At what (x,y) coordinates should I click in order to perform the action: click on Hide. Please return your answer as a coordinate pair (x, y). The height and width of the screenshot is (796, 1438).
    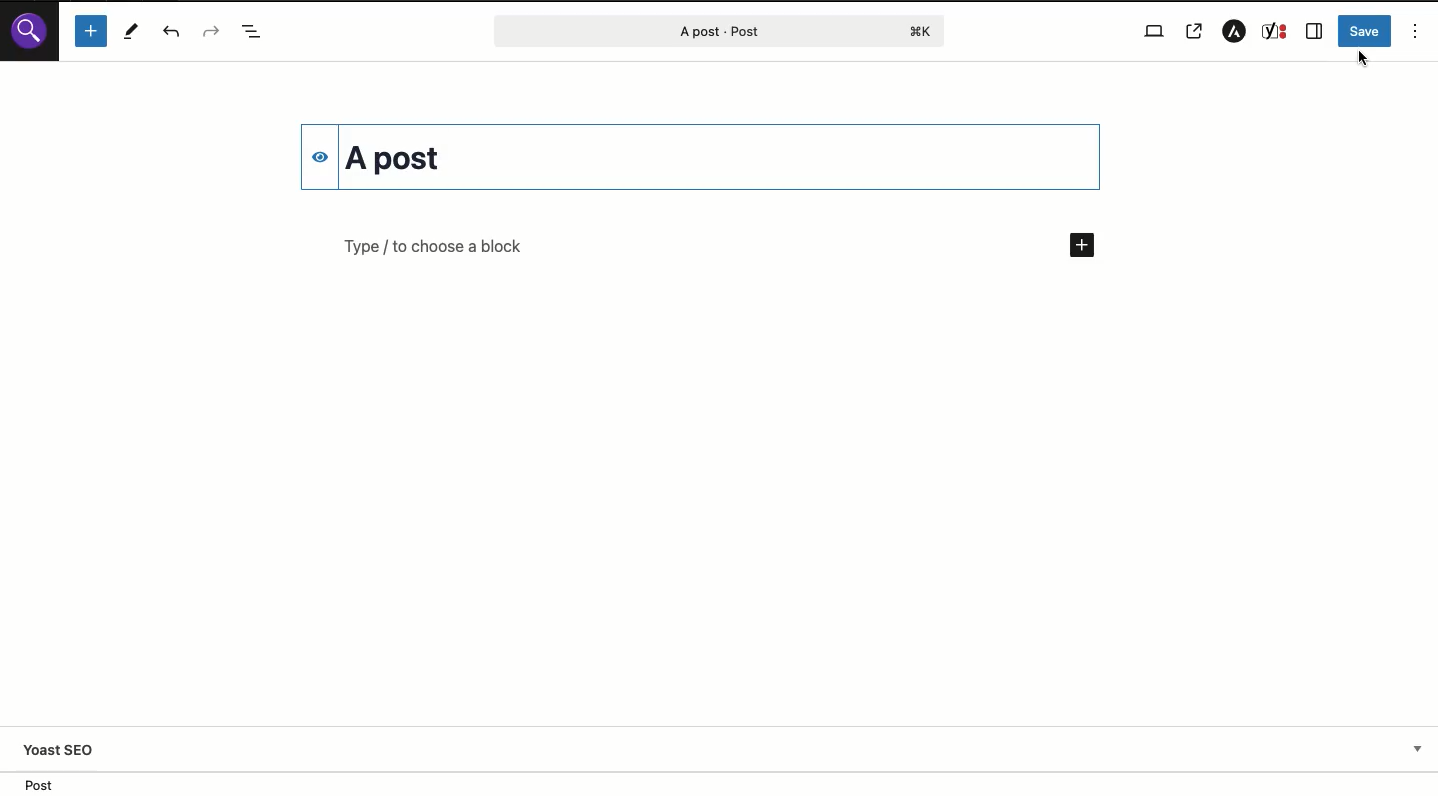
    Looking at the image, I should click on (309, 158).